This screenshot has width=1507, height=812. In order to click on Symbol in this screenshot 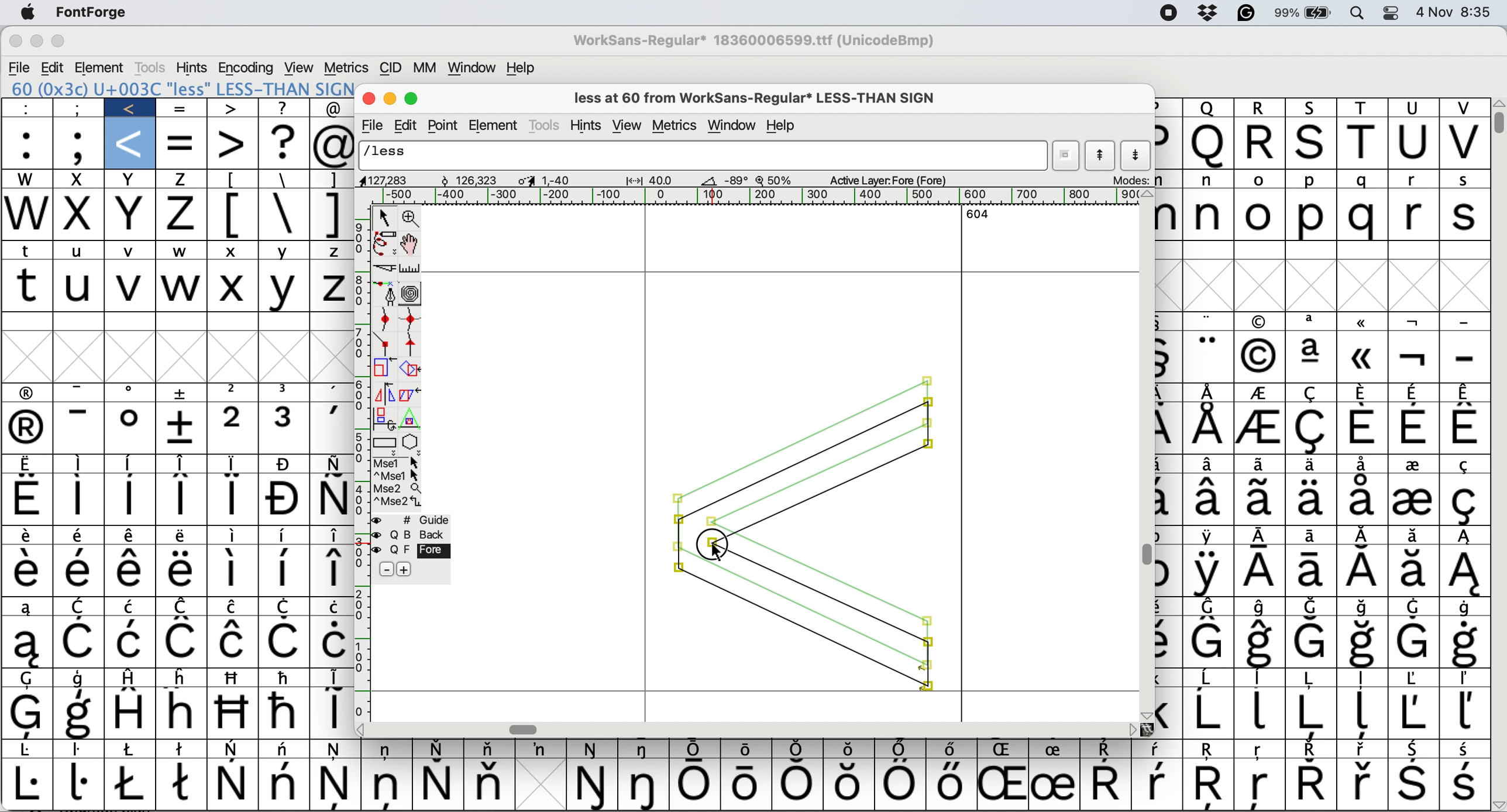, I will do `click(1412, 783)`.